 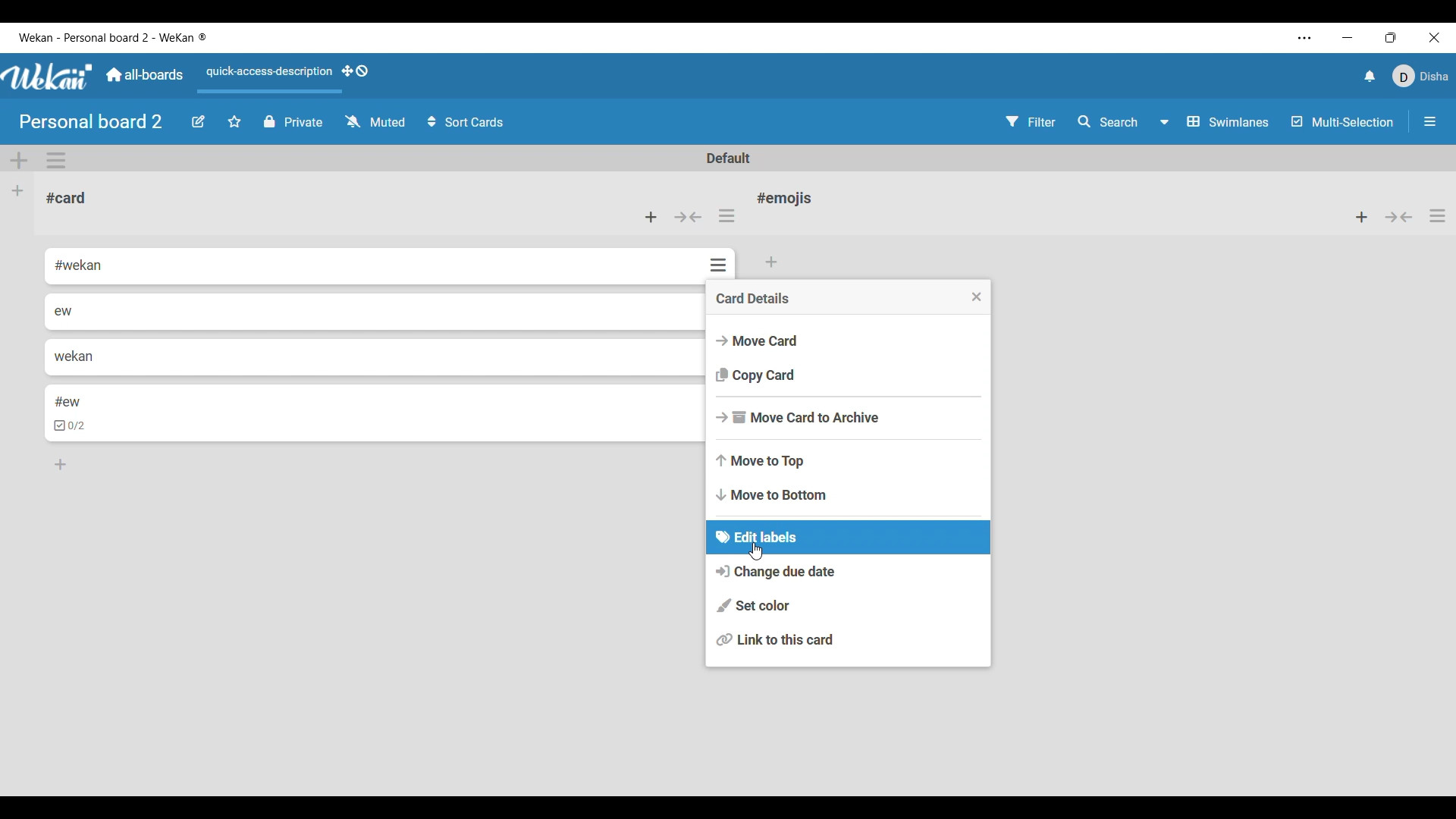 What do you see at coordinates (837, 300) in the screenshot?
I see `Card details` at bounding box center [837, 300].